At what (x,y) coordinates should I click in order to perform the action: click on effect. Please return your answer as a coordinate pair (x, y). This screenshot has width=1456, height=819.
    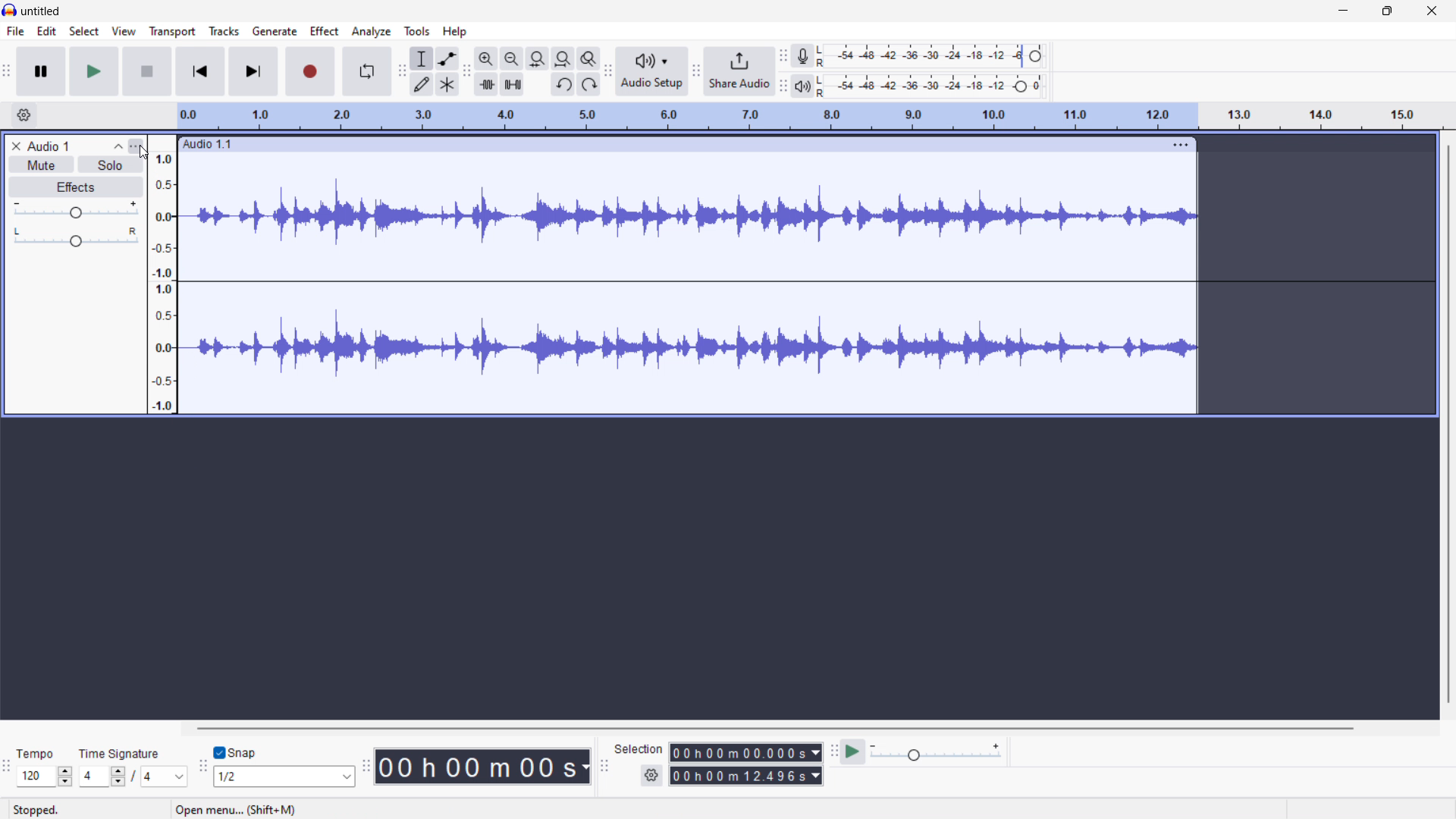
    Looking at the image, I should click on (325, 32).